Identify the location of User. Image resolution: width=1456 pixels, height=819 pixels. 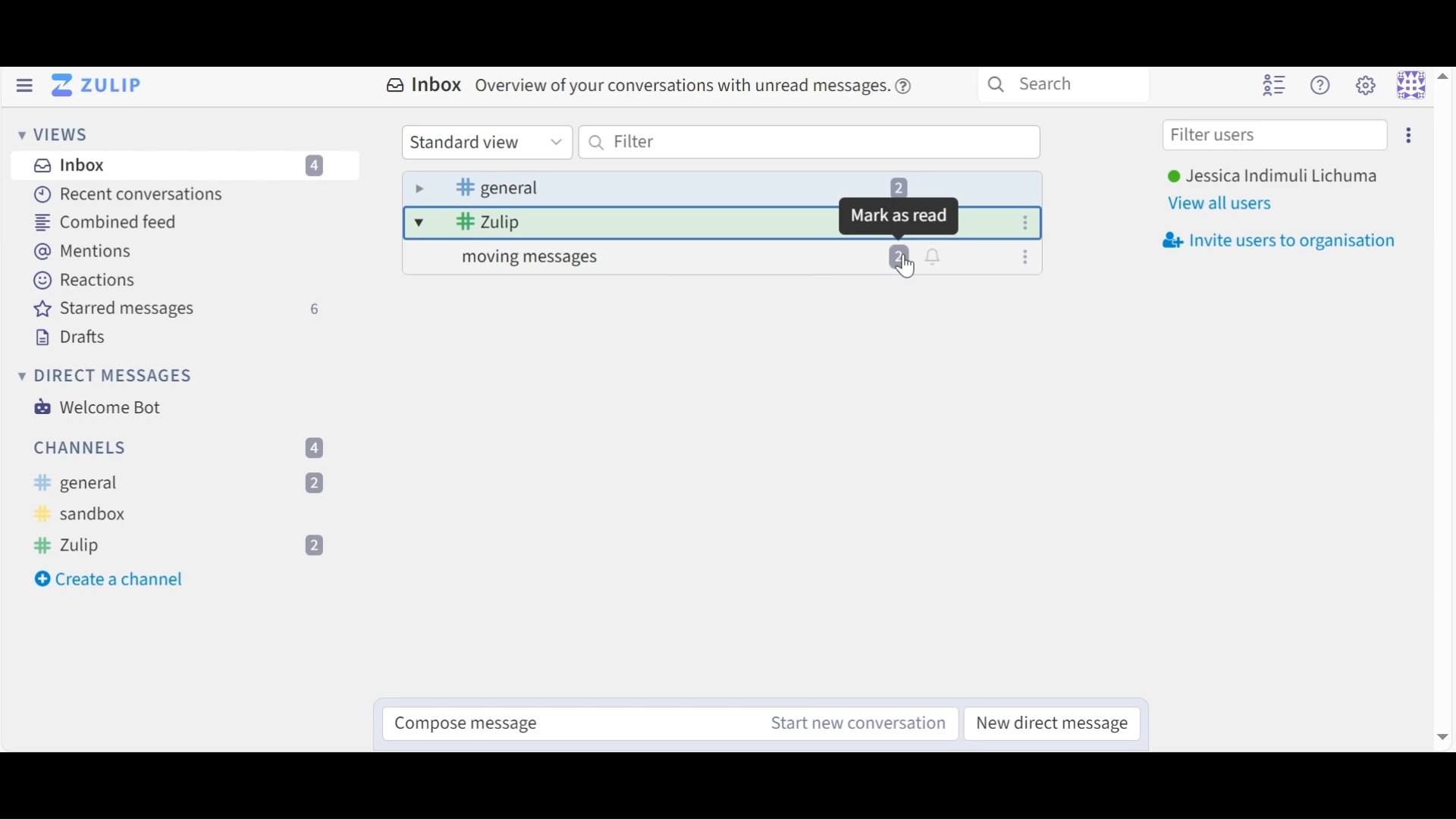
(1272, 176).